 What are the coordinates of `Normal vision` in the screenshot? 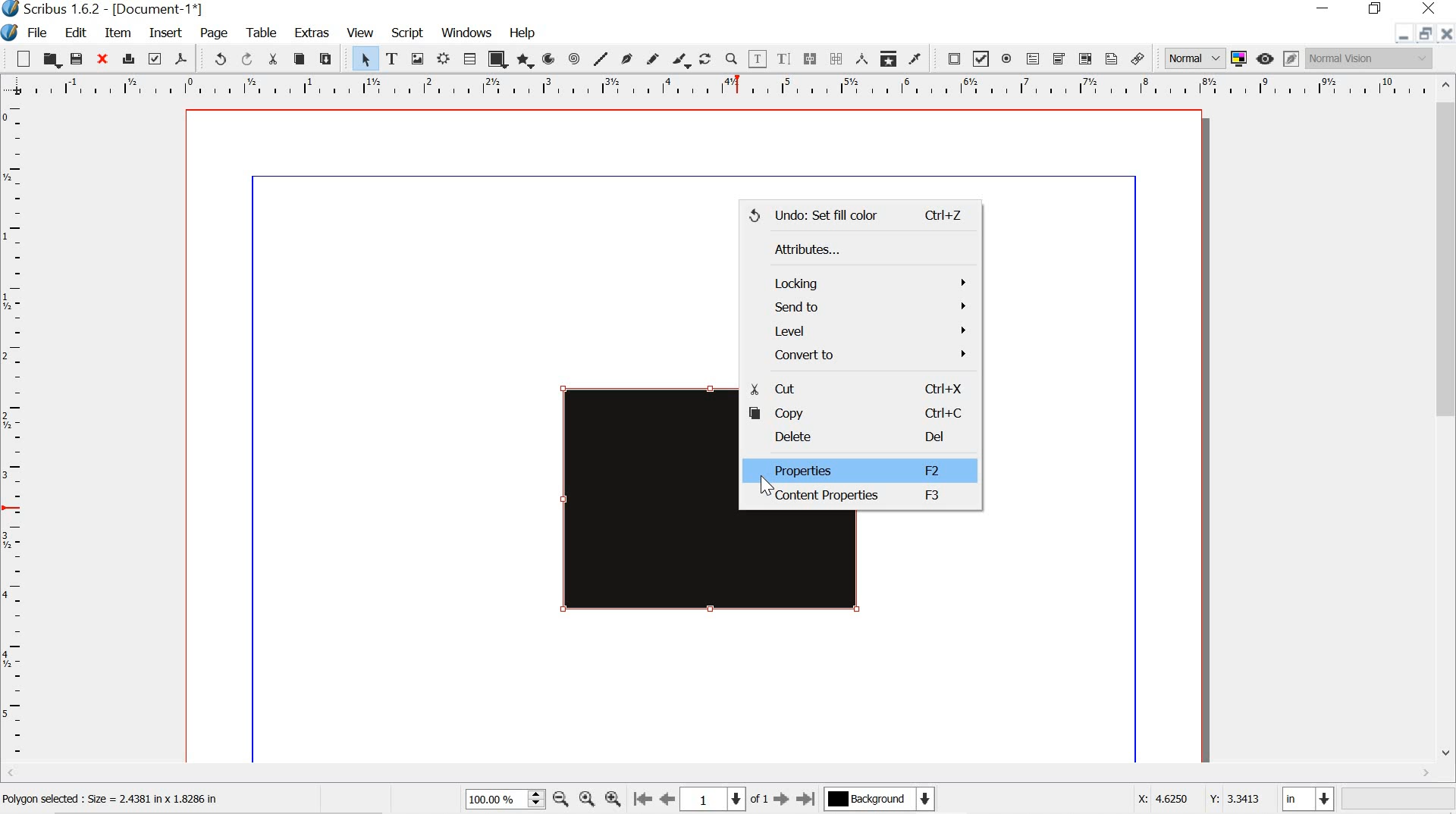 It's located at (1373, 58).